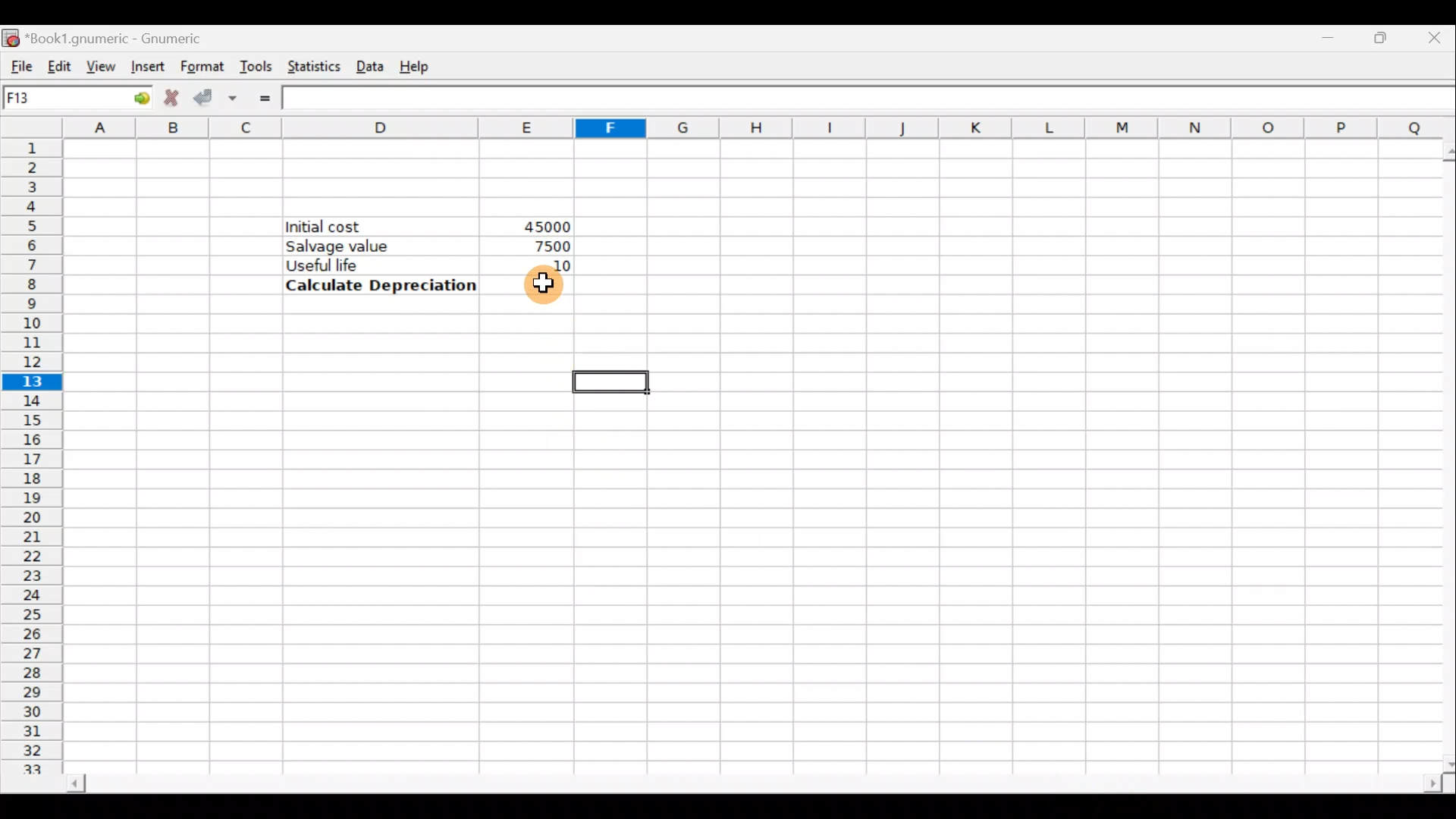 Image resolution: width=1456 pixels, height=819 pixels. I want to click on Salvage value, so click(369, 246).